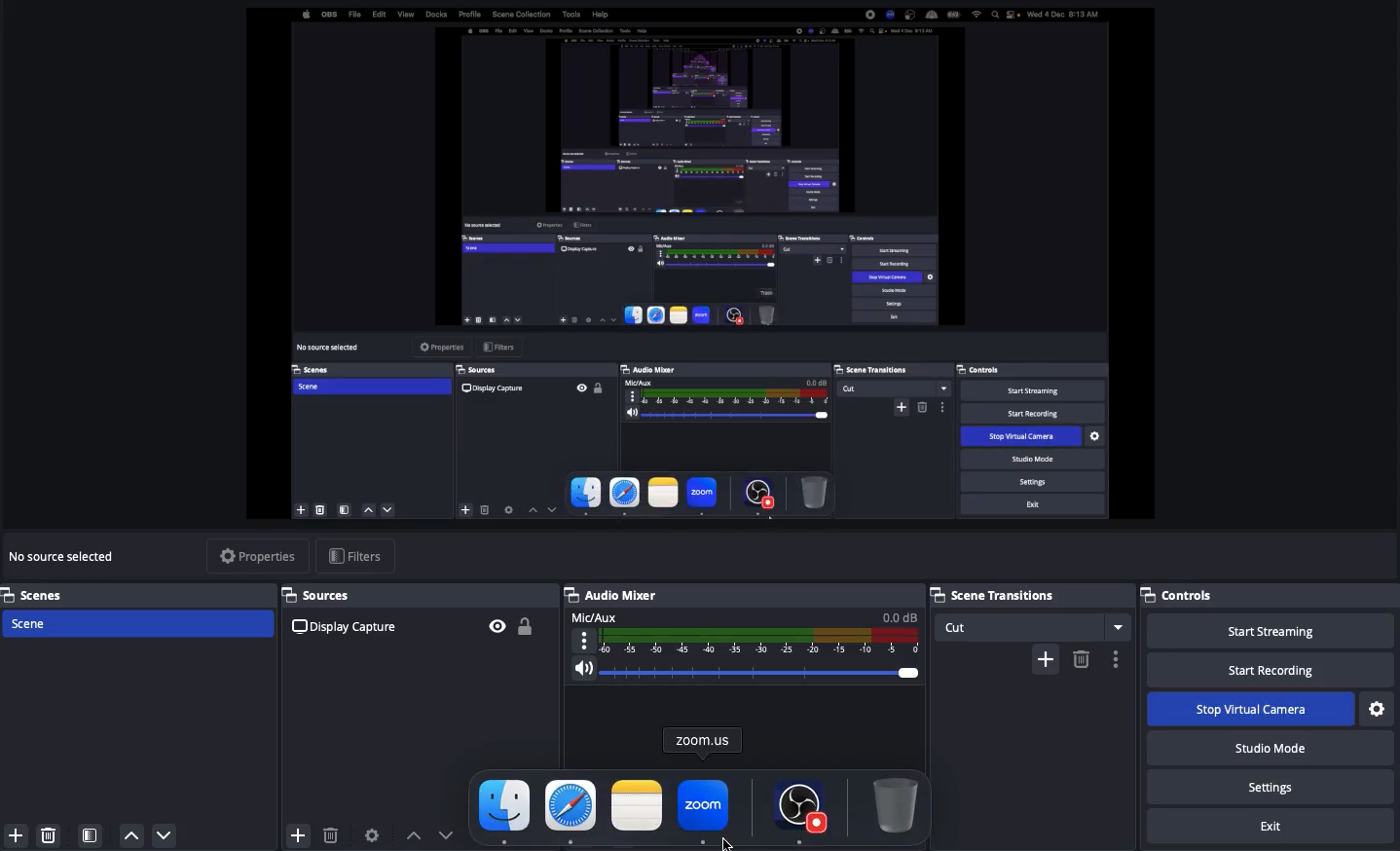 This screenshot has width=1400, height=851. Describe the element at coordinates (703, 264) in the screenshot. I see `Screen` at that location.